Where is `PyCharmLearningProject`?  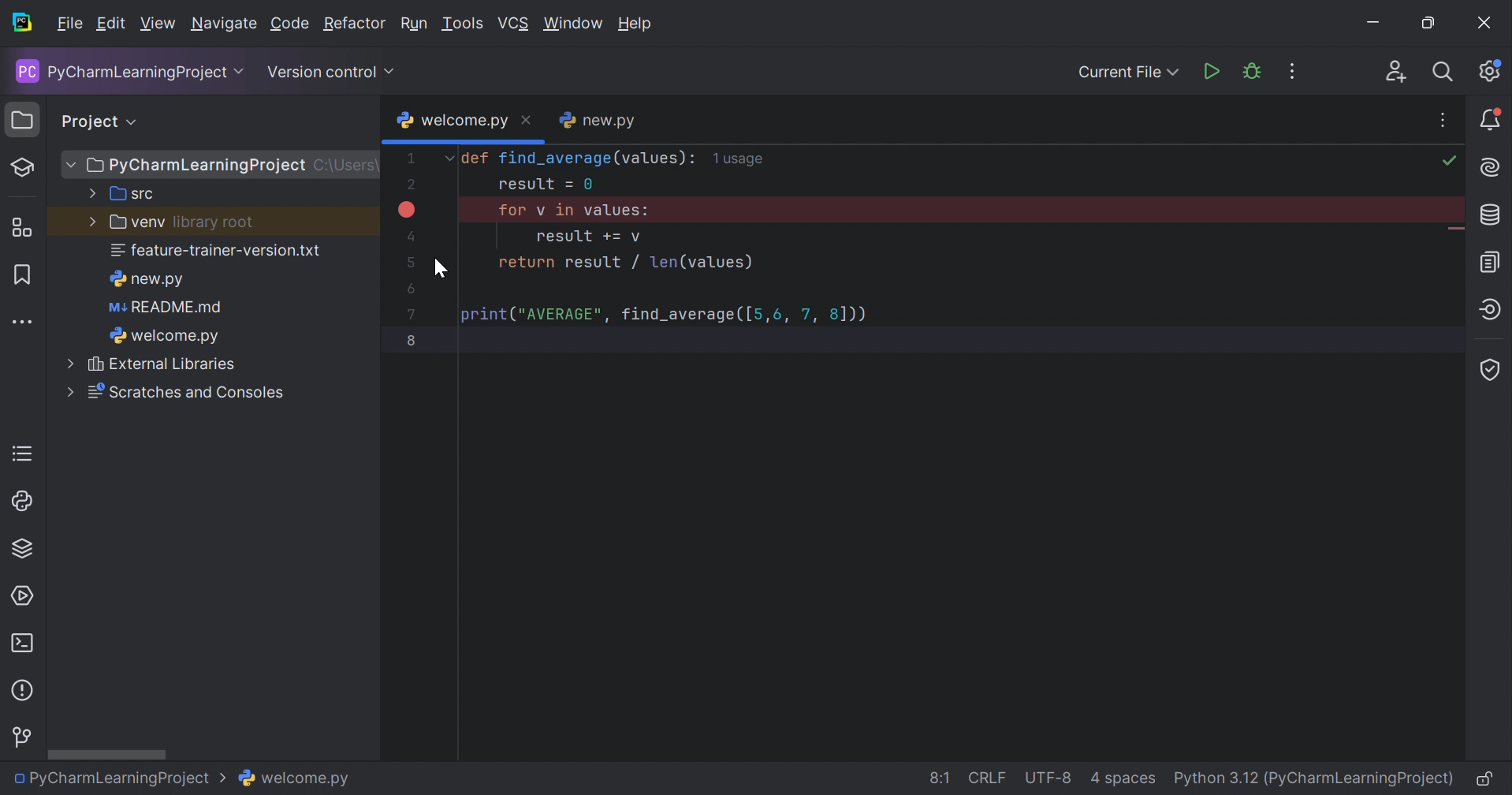 PyCharmLearningProject is located at coordinates (125, 73).